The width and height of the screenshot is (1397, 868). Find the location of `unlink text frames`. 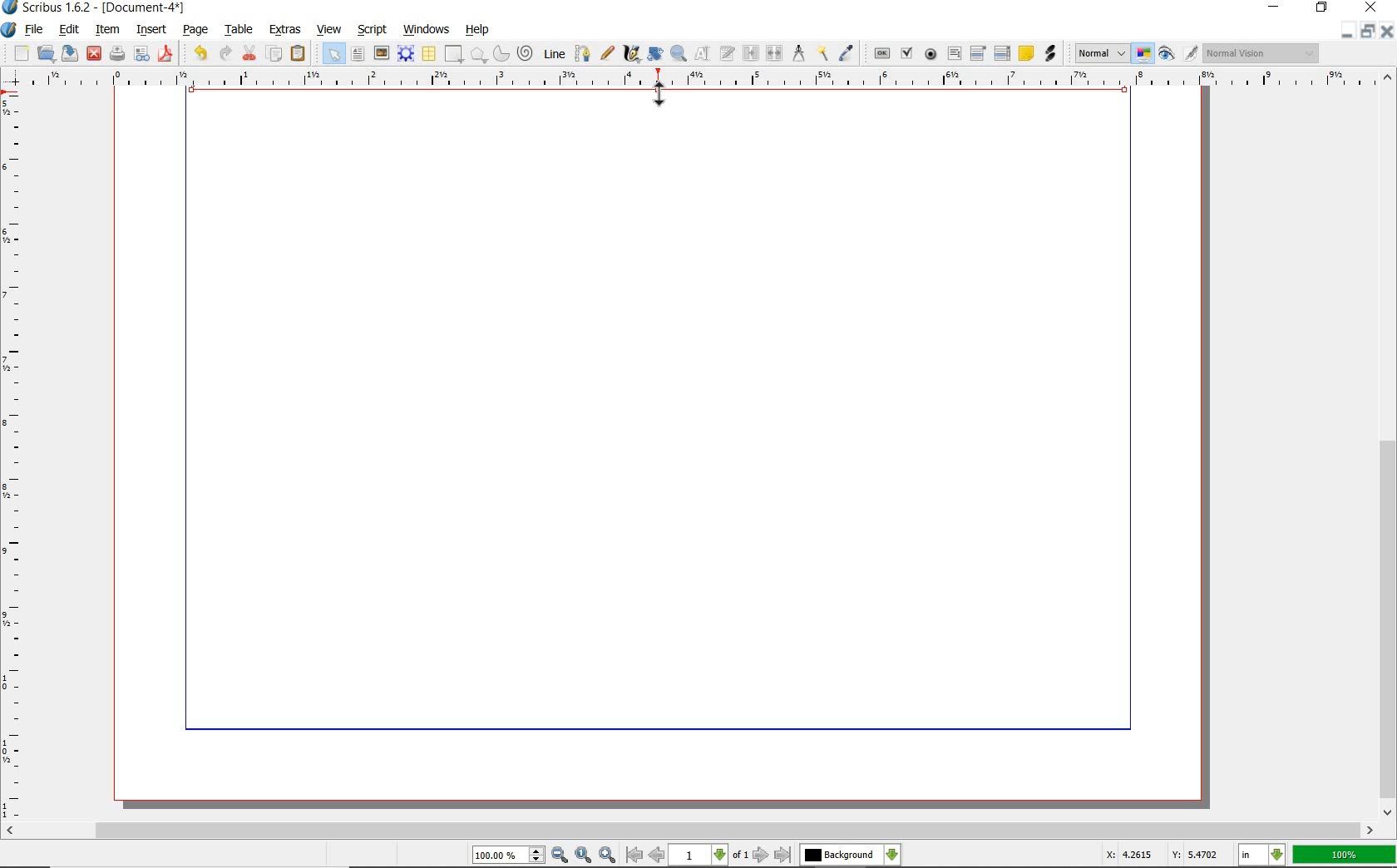

unlink text frames is located at coordinates (773, 52).